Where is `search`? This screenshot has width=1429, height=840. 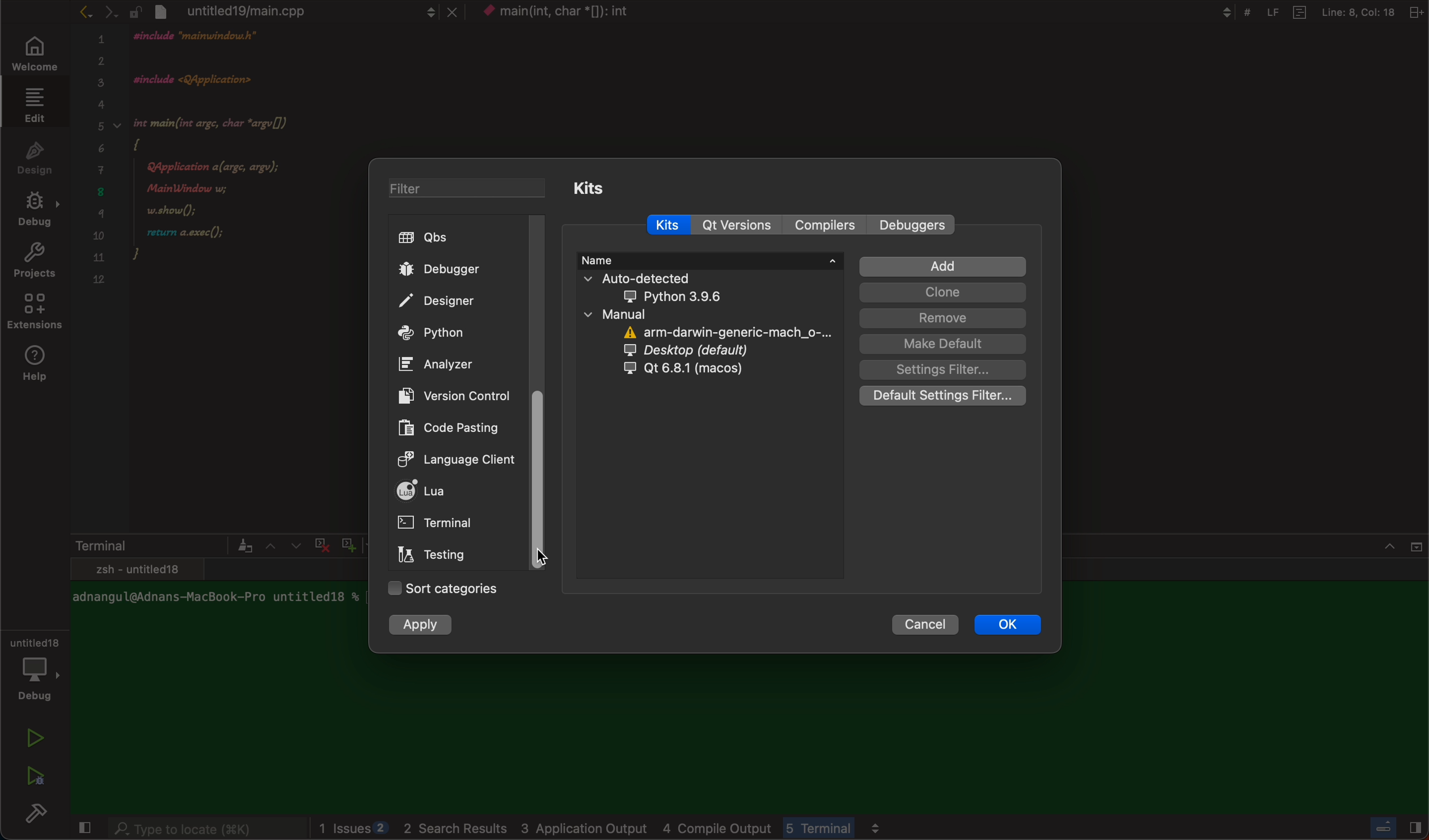 search is located at coordinates (206, 830).